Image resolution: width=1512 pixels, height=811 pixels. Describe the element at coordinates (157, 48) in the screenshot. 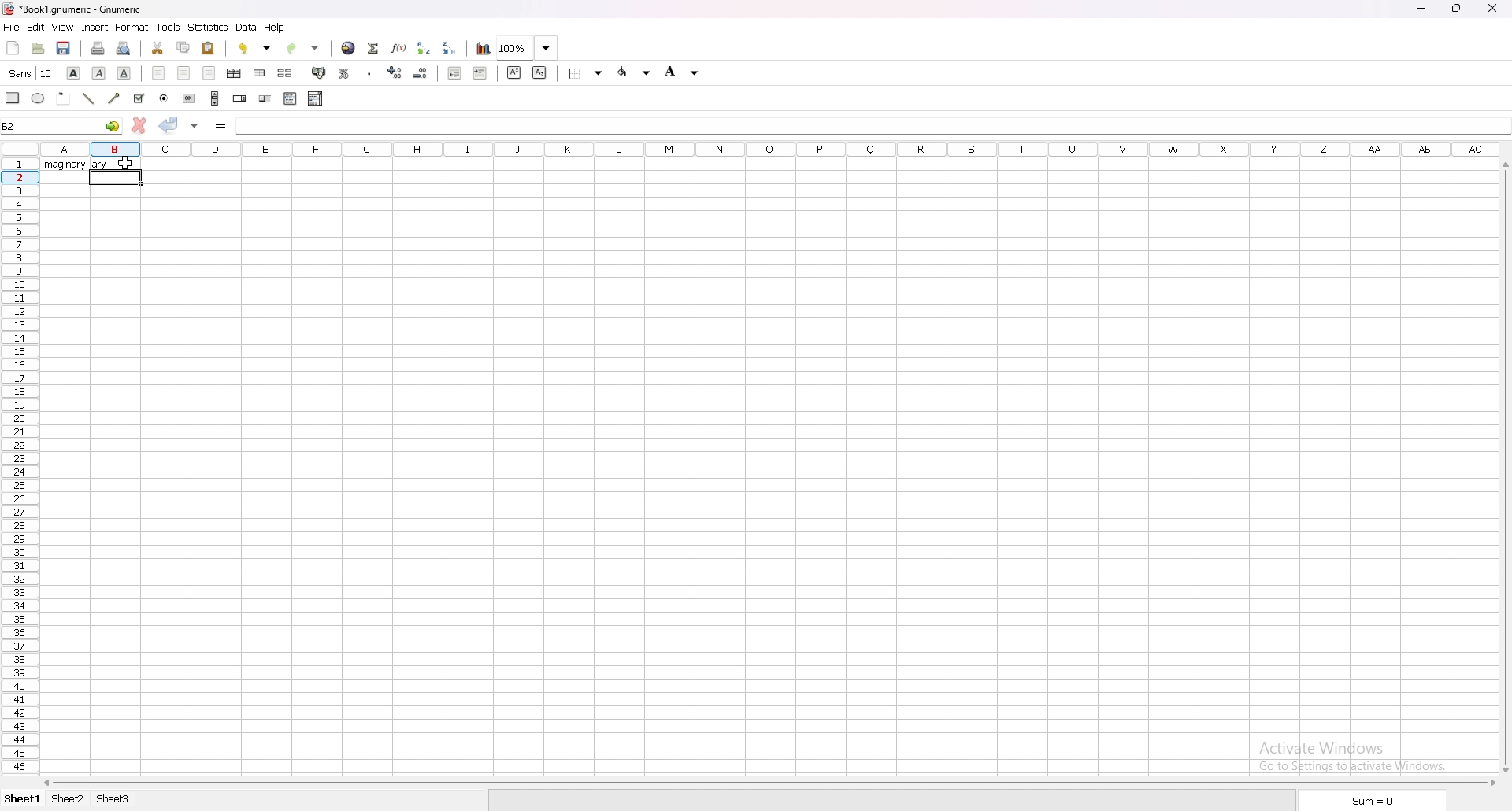

I see `cut` at that location.